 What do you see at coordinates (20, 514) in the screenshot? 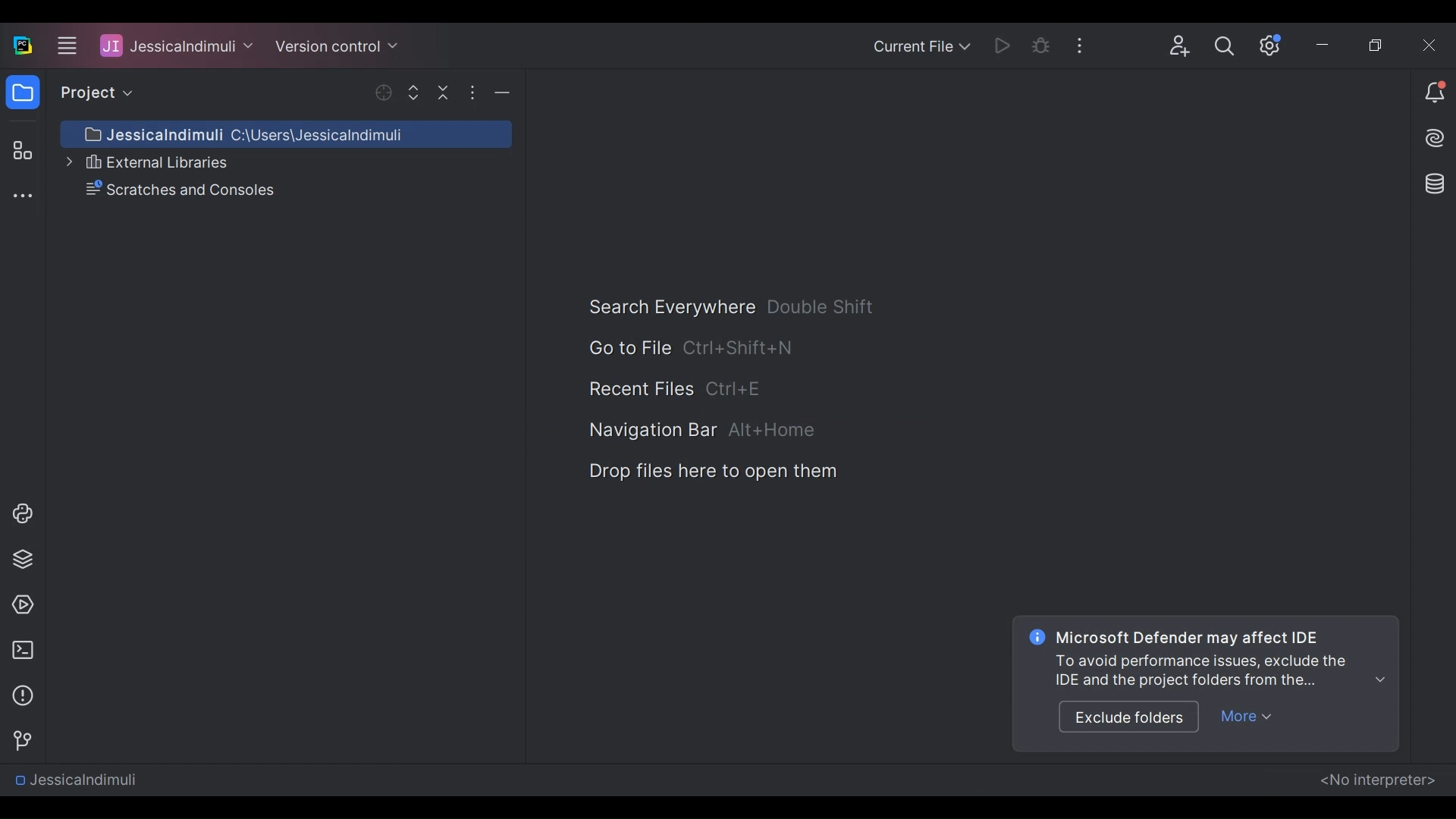
I see `Project Console` at bounding box center [20, 514].